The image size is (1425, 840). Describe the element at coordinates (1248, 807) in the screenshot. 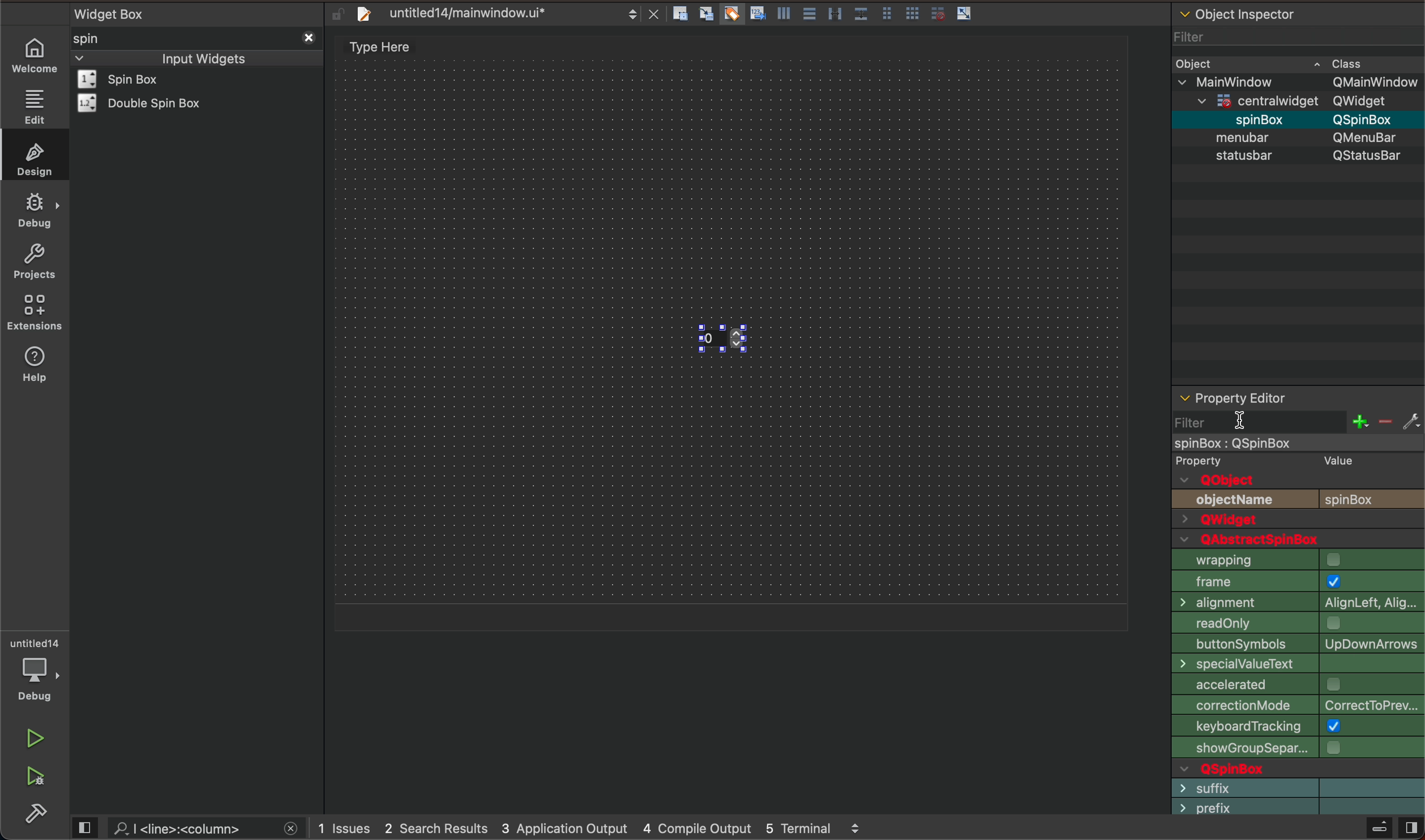

I see `text` at that location.